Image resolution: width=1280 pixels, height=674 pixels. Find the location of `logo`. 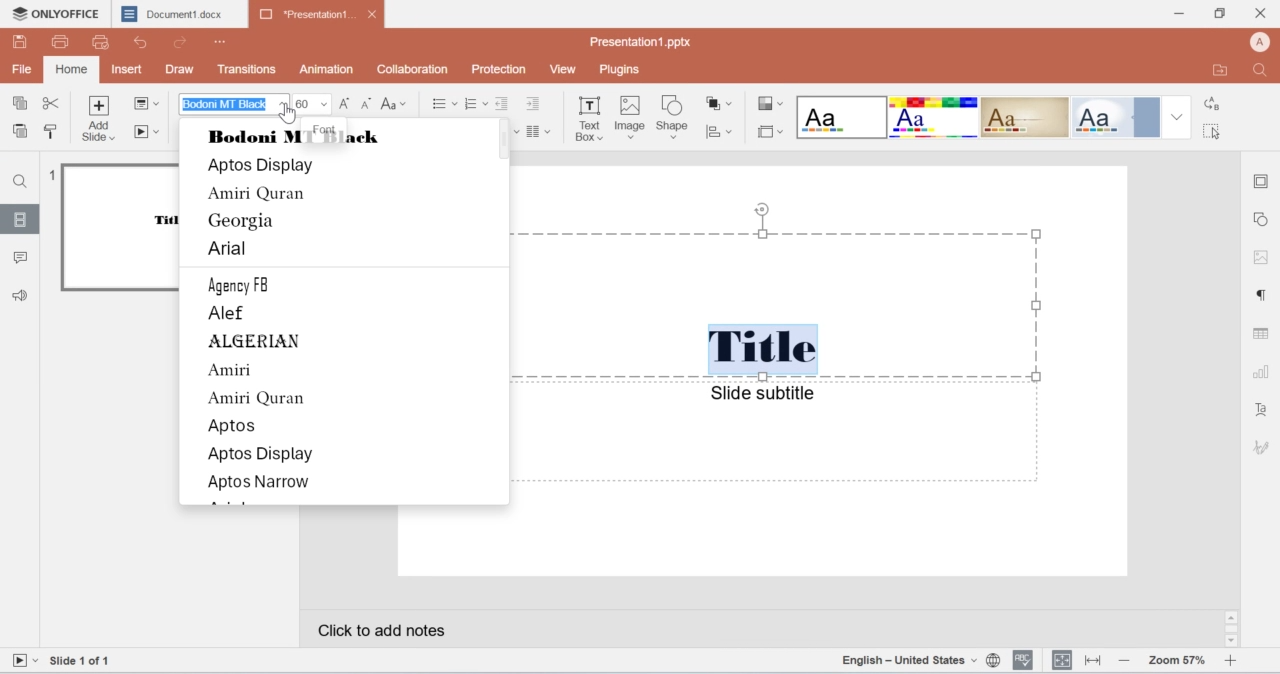

logo is located at coordinates (54, 13).